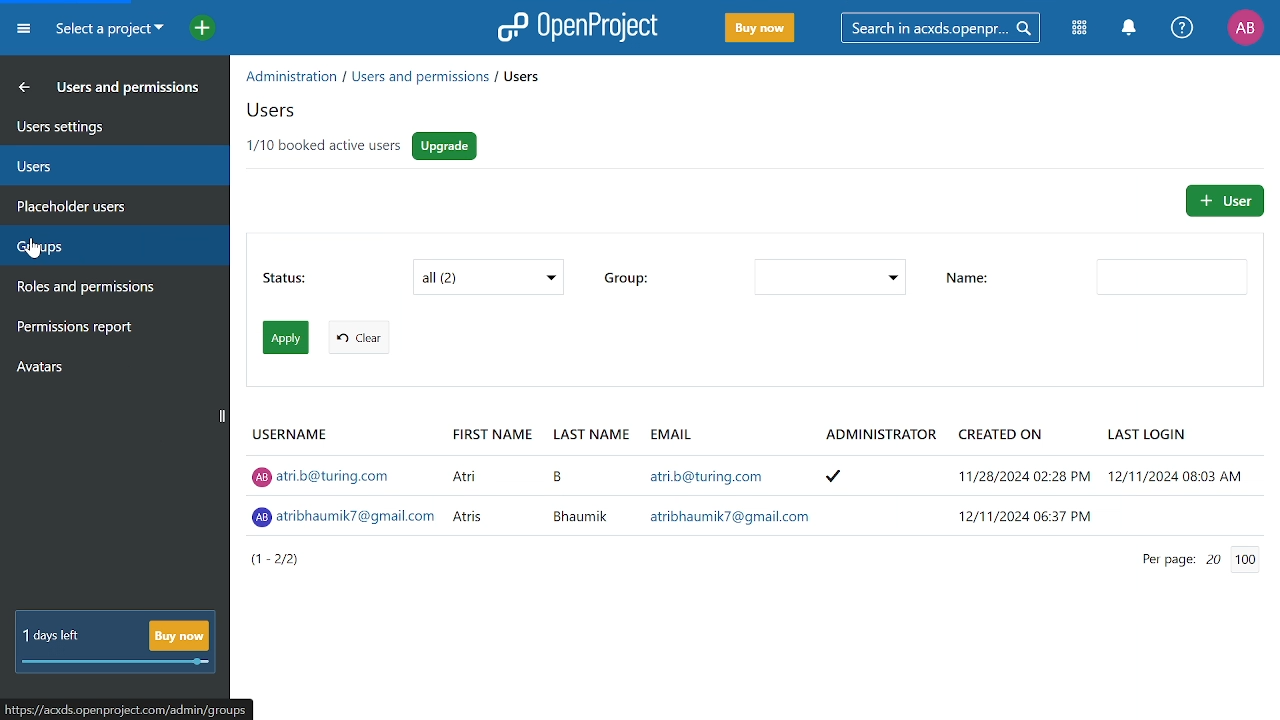 This screenshot has width=1280, height=720. I want to click on Users and permissoins, so click(130, 91).